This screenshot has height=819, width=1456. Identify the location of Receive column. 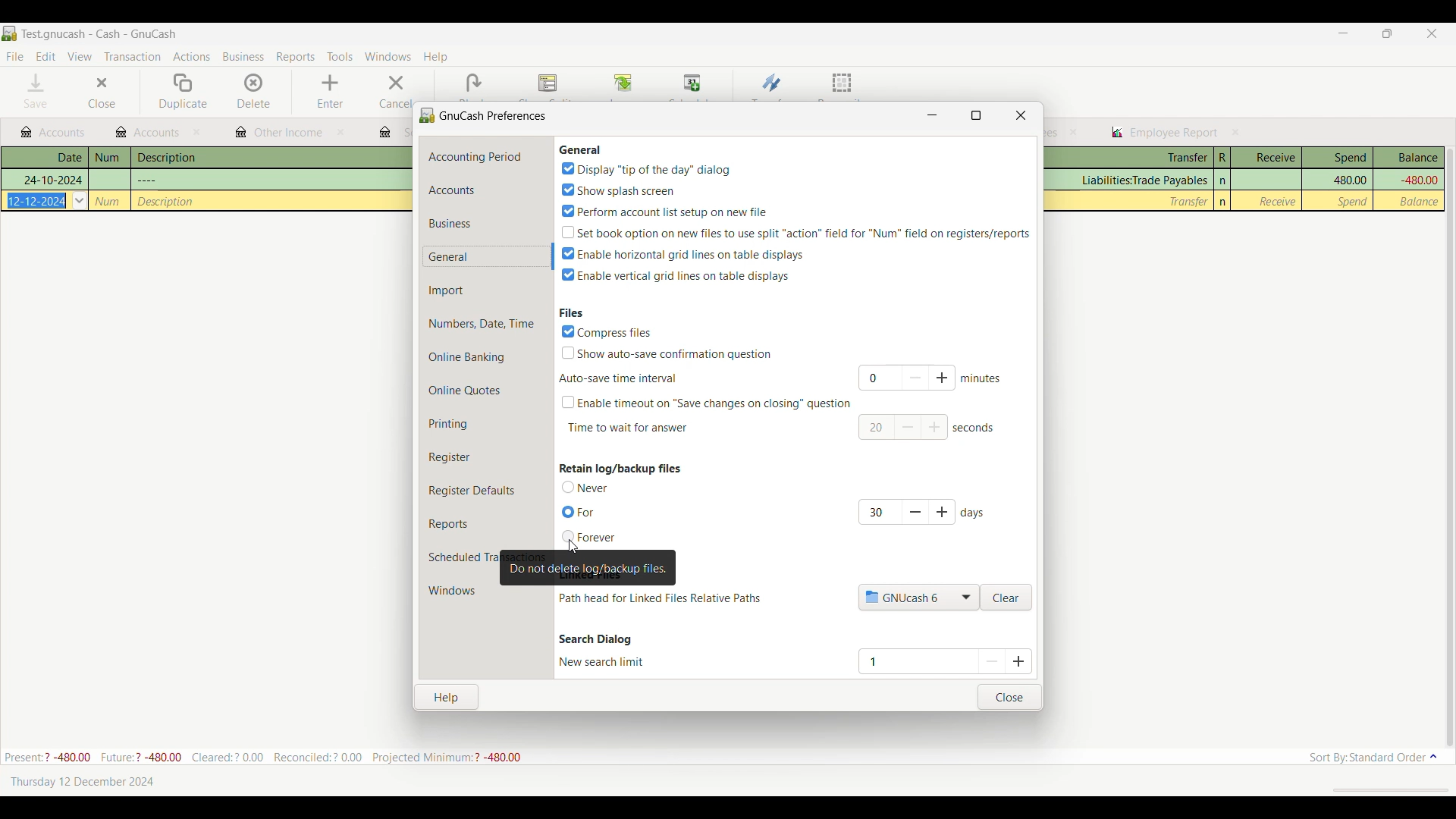
(1266, 158).